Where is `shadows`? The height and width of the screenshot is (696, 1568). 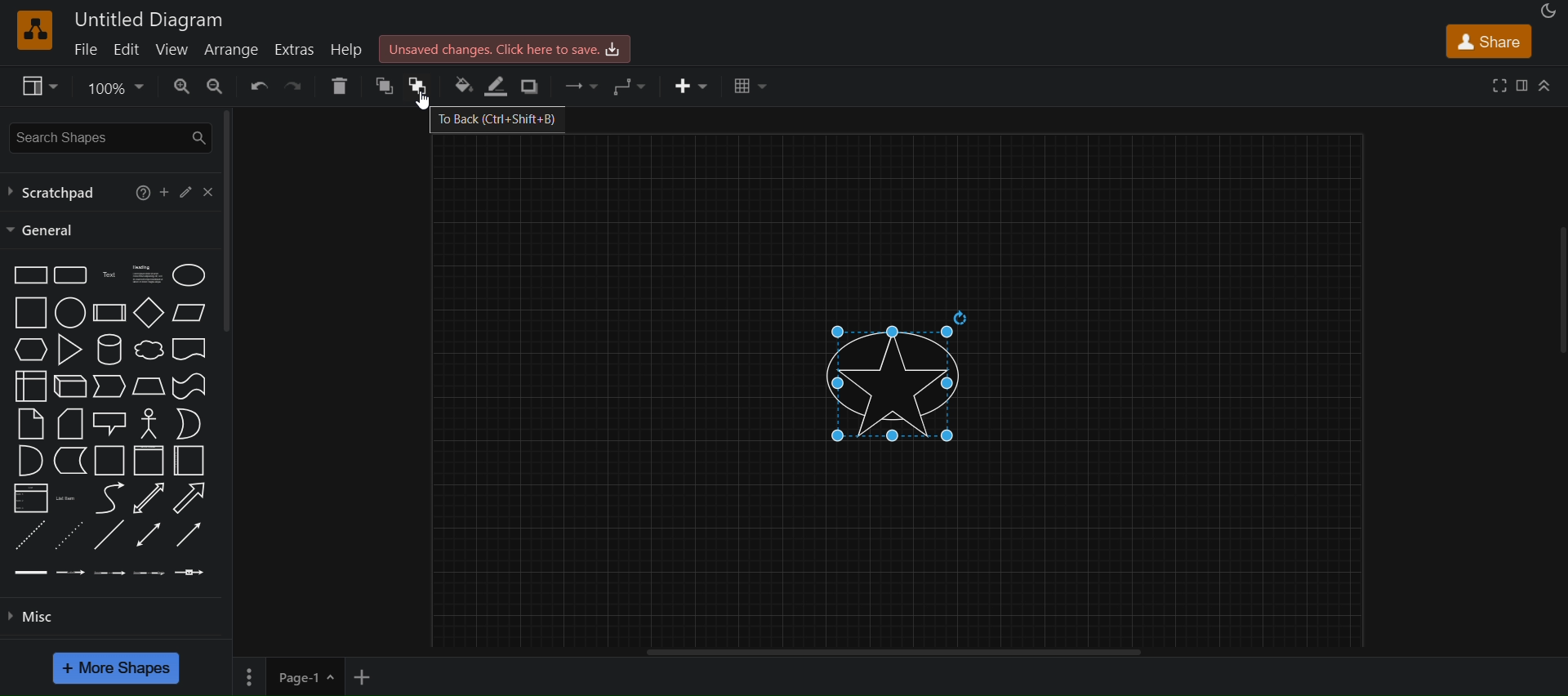
shadows is located at coordinates (534, 88).